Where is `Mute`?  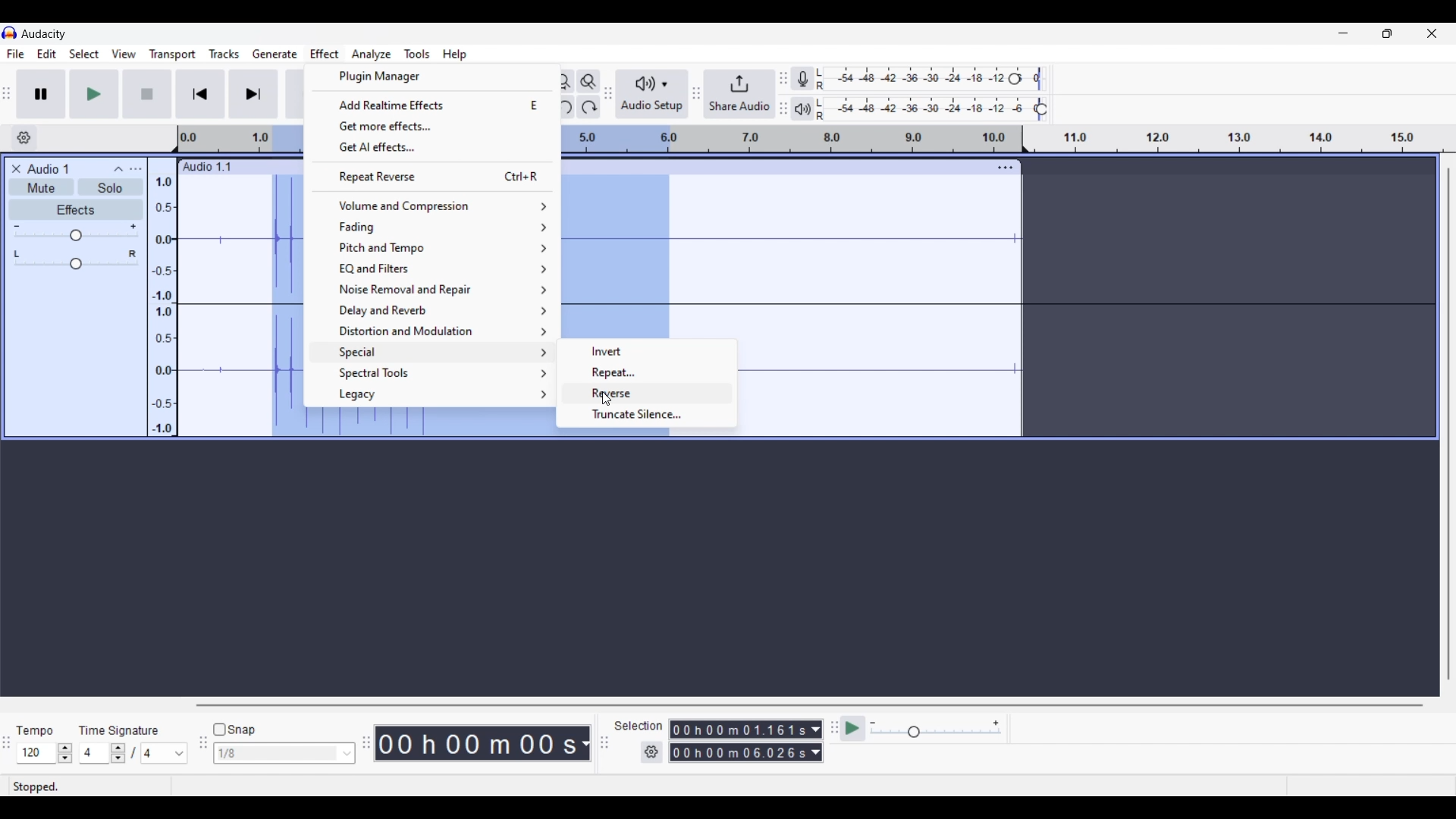 Mute is located at coordinates (41, 187).